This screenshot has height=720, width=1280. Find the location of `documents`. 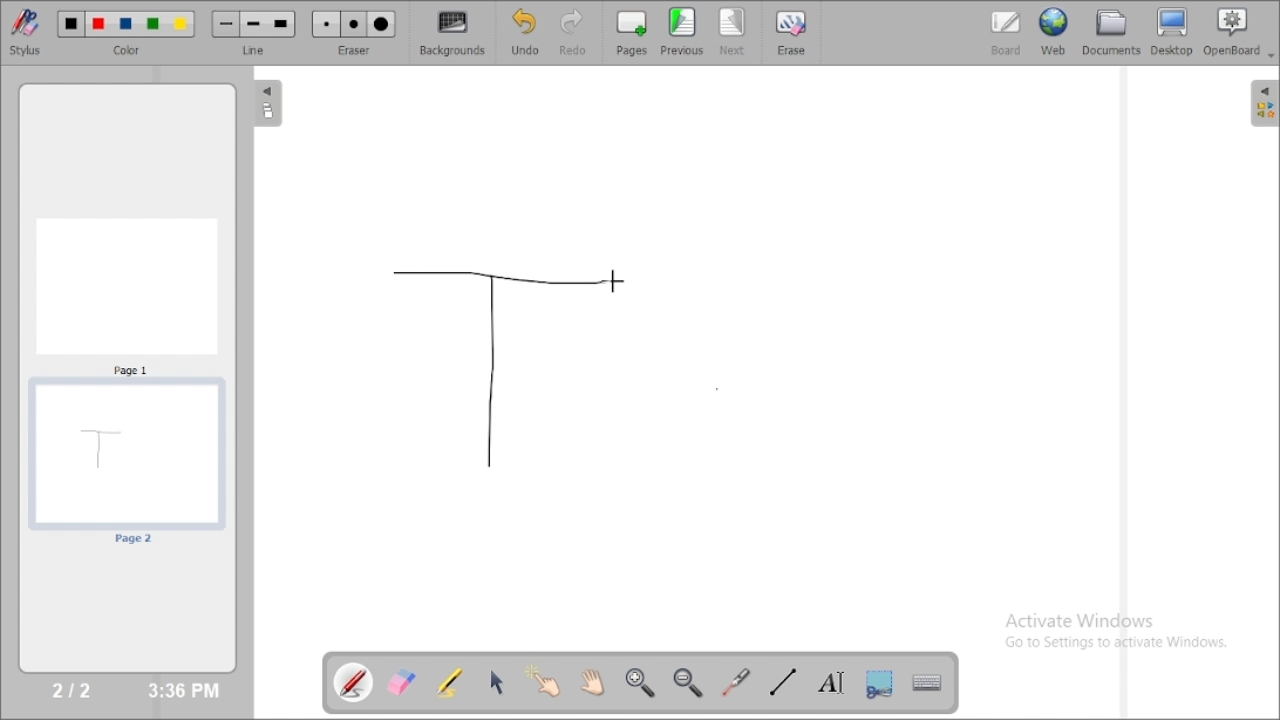

documents is located at coordinates (1110, 31).